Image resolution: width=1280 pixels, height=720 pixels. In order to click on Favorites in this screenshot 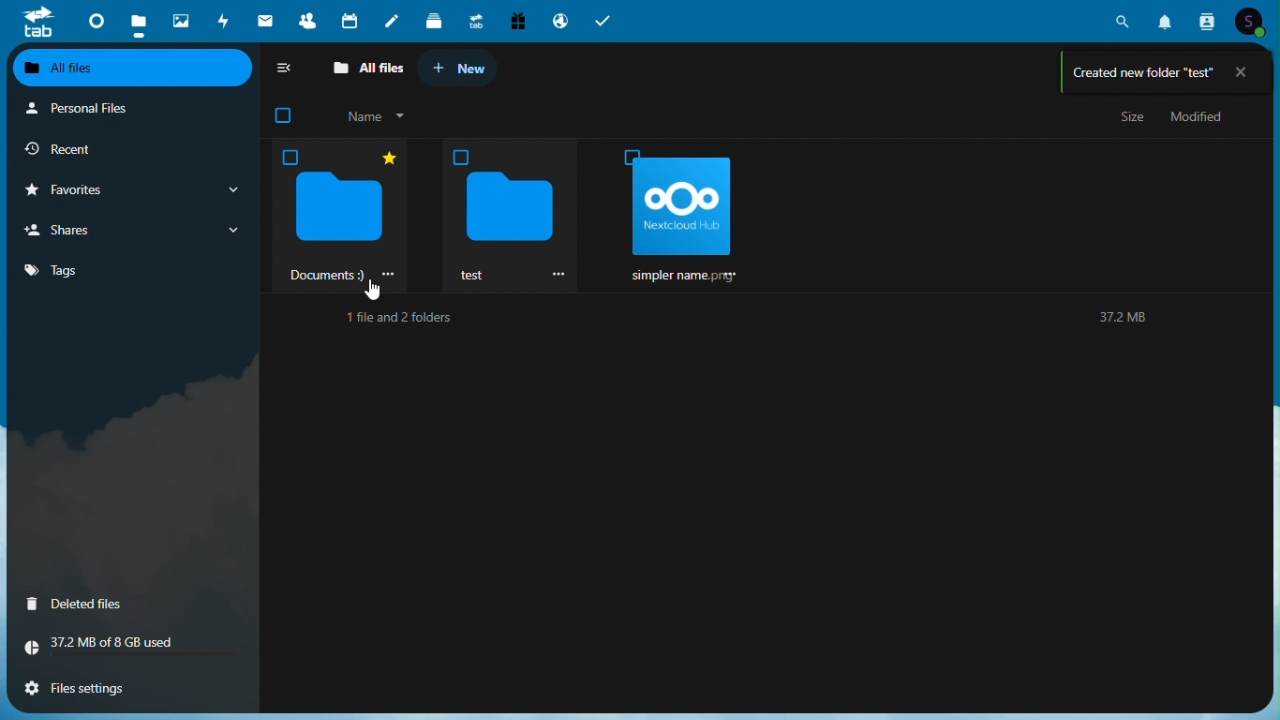, I will do `click(126, 192)`.